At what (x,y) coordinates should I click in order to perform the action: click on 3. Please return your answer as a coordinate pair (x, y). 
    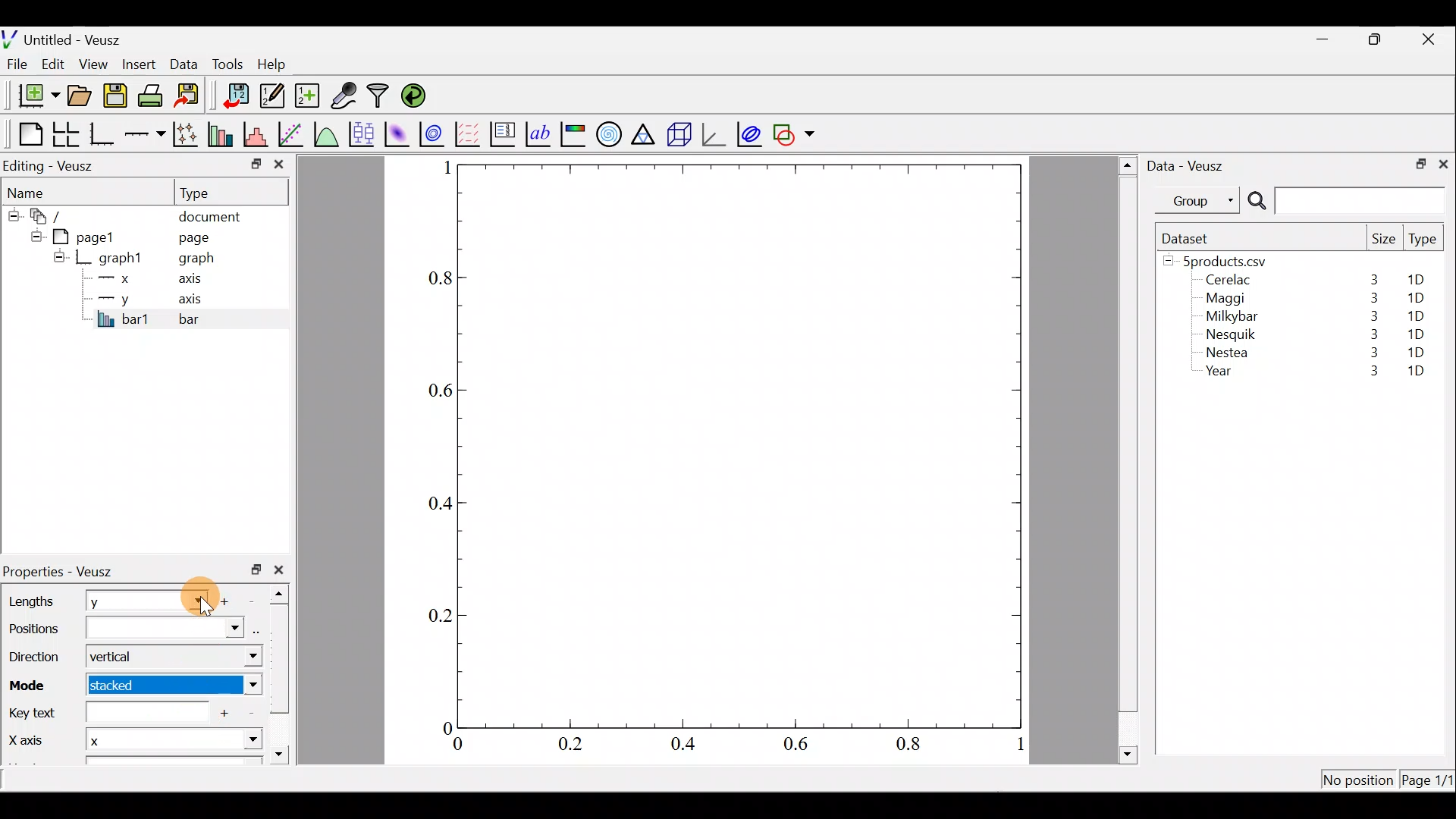
    Looking at the image, I should click on (1366, 372).